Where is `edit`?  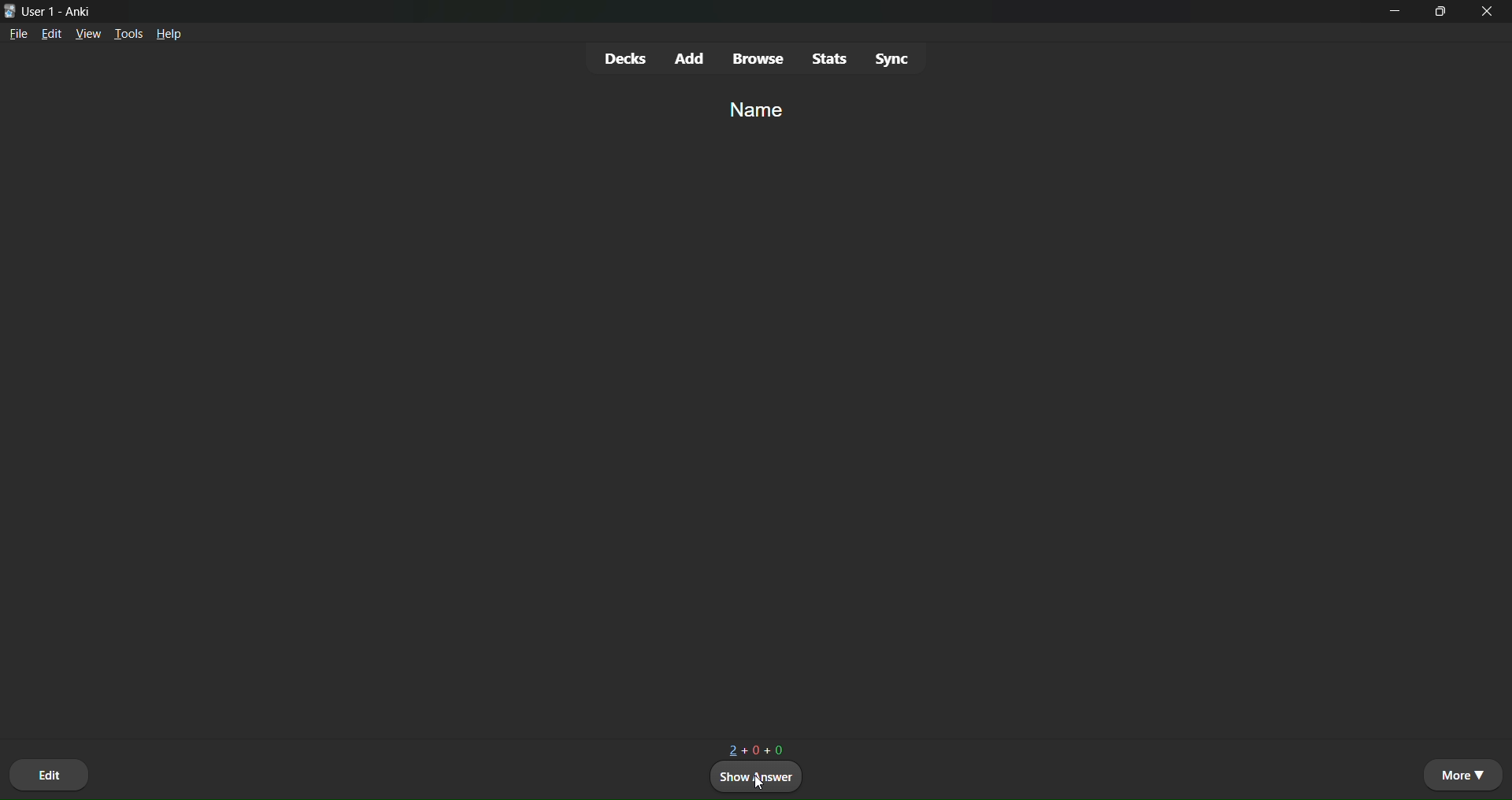
edit is located at coordinates (51, 772).